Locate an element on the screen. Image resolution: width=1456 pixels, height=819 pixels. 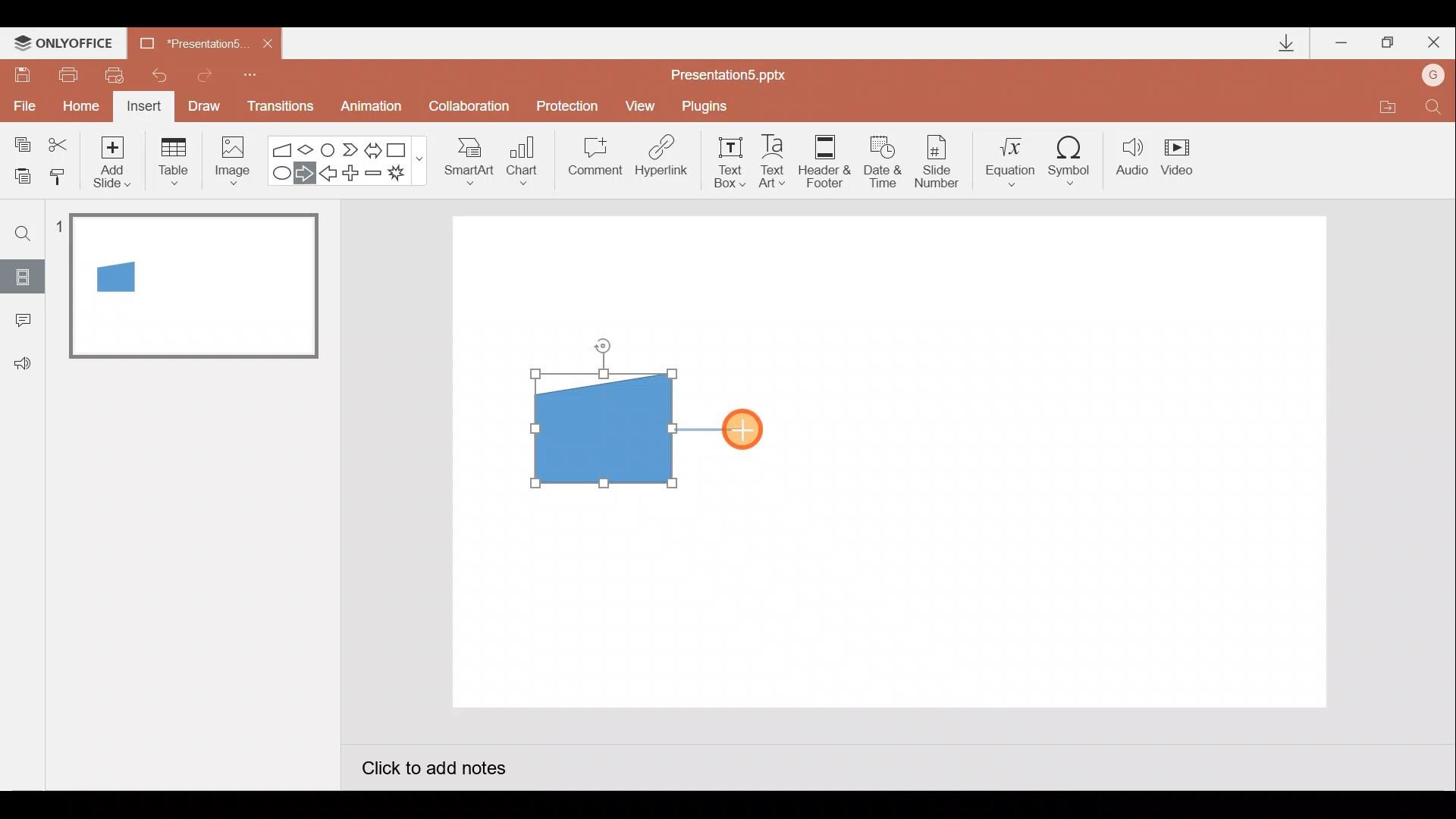
Flow chart-decision is located at coordinates (308, 149).